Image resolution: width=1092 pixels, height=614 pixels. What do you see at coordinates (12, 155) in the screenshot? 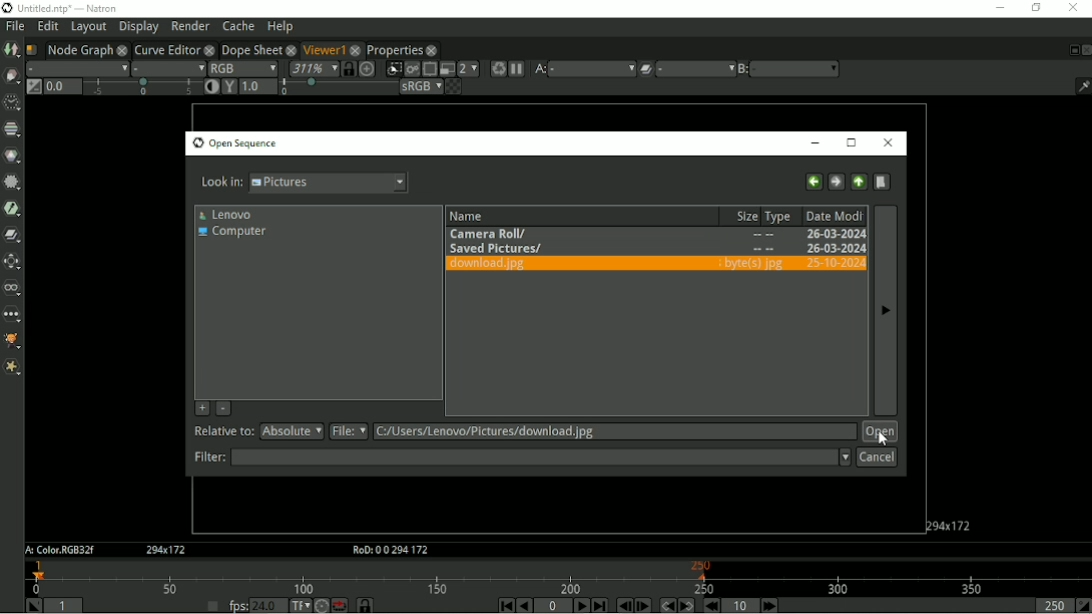
I see `Color` at bounding box center [12, 155].